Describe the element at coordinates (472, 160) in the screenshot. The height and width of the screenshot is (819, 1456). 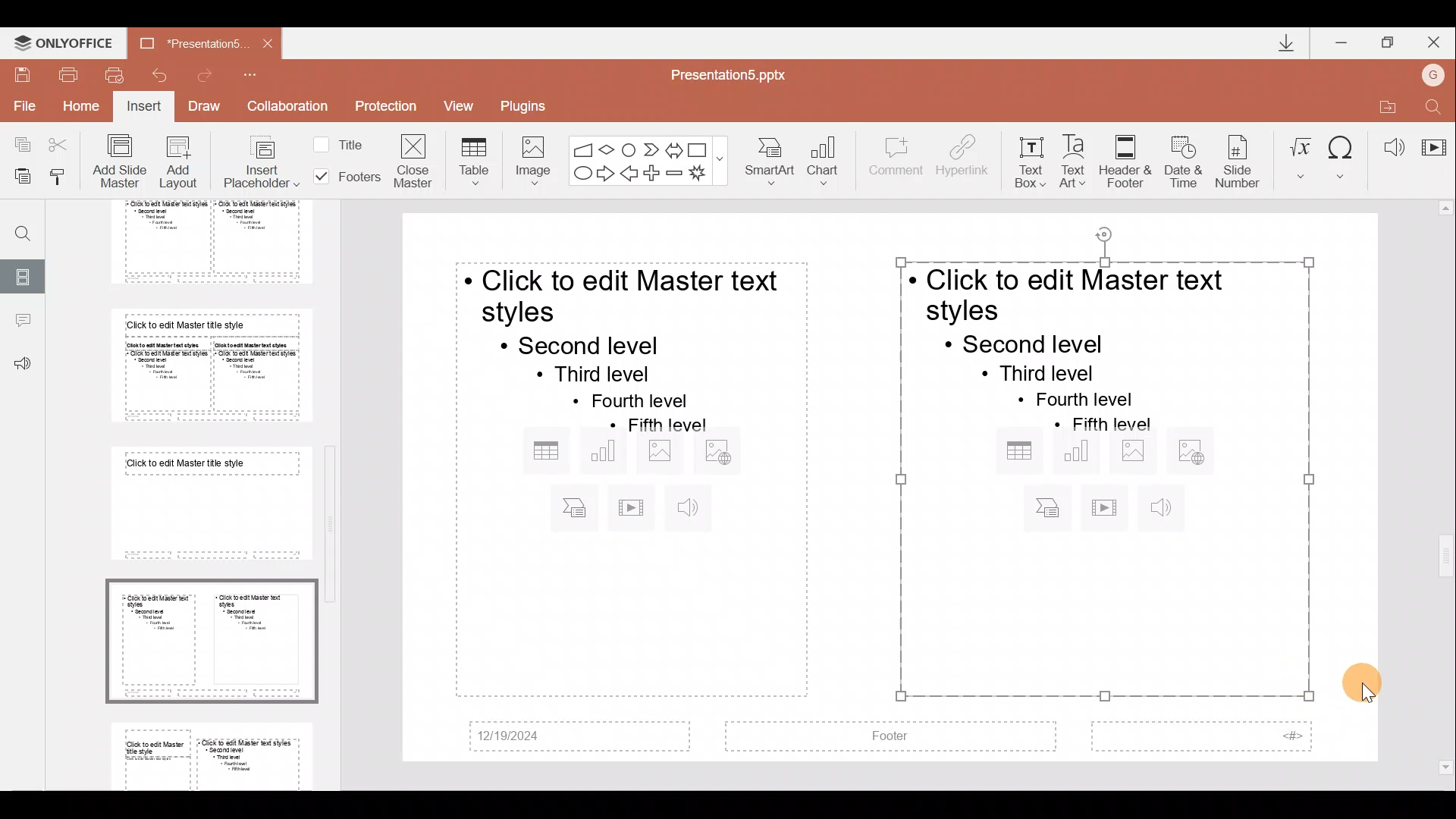
I see `Table` at that location.